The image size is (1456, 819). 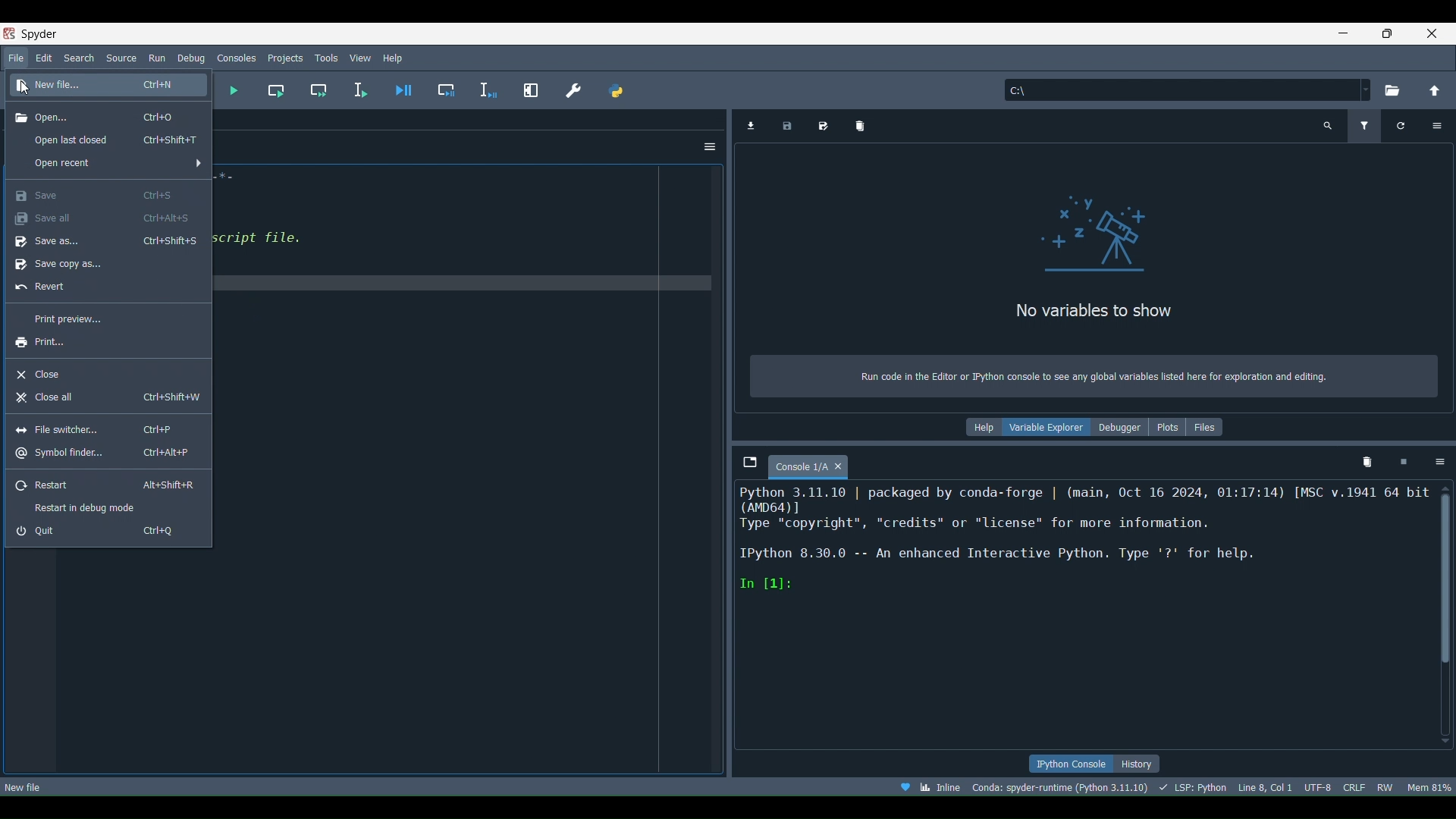 What do you see at coordinates (1439, 463) in the screenshot?
I see `Options` at bounding box center [1439, 463].